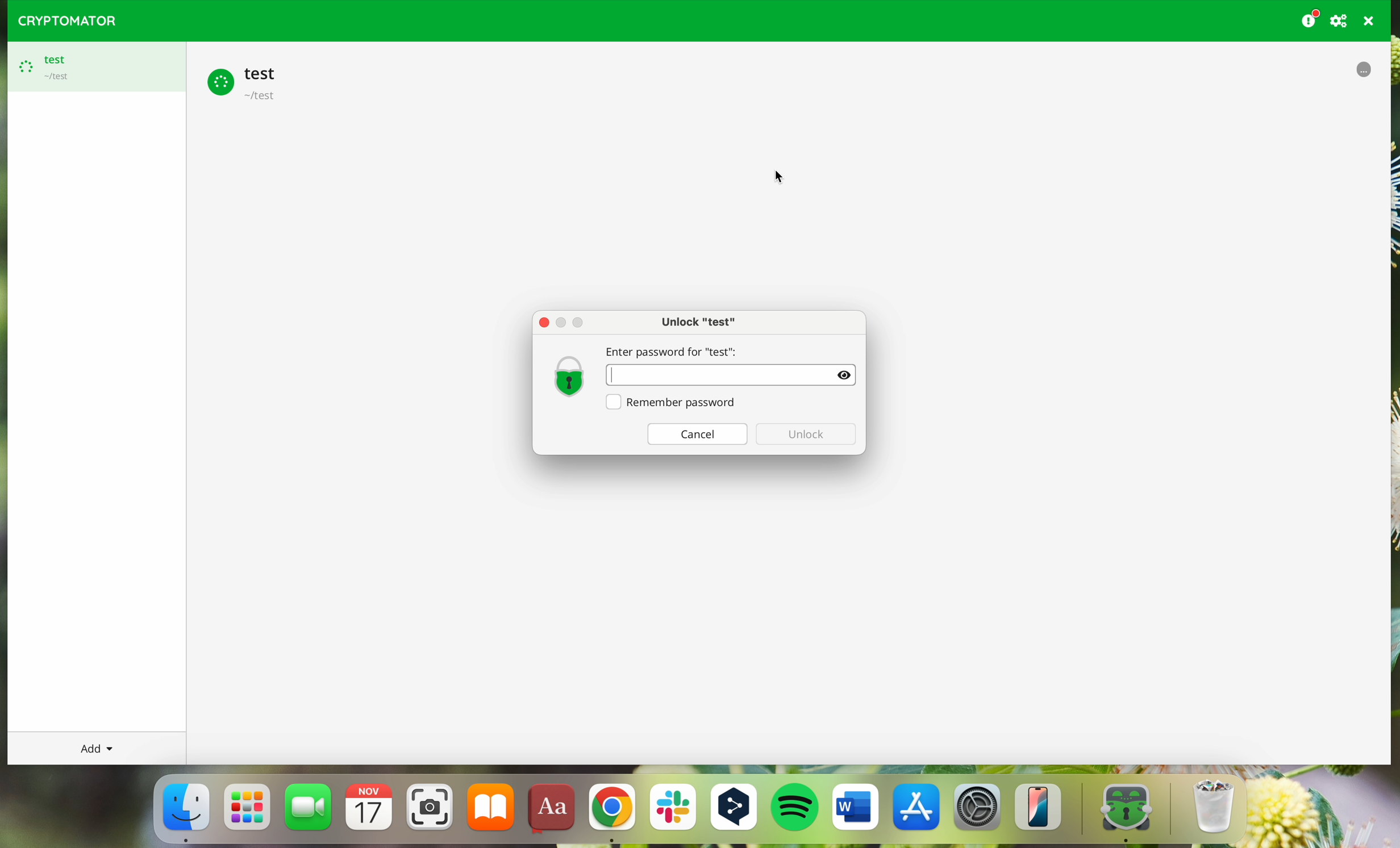 The width and height of the screenshot is (1400, 848). I want to click on Enter password for "test", so click(680, 348).